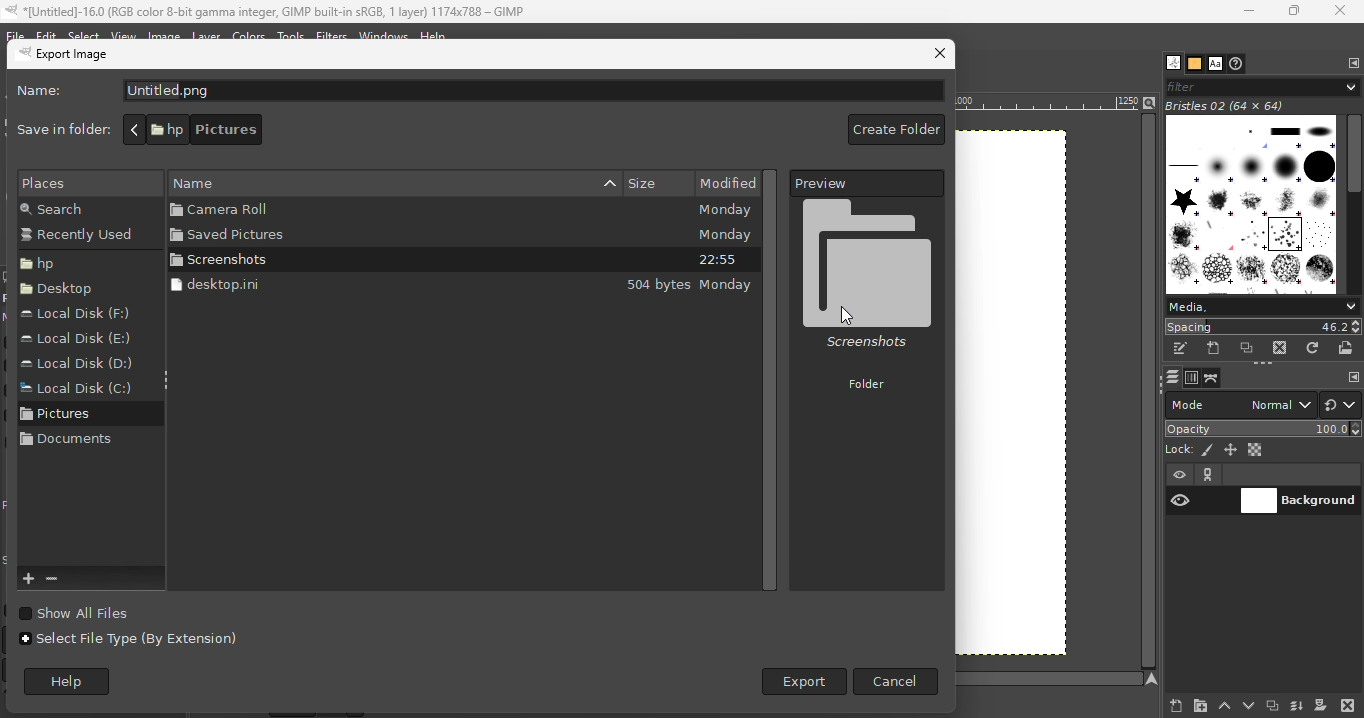  Describe the element at coordinates (134, 129) in the screenshot. I see `go backward` at that location.